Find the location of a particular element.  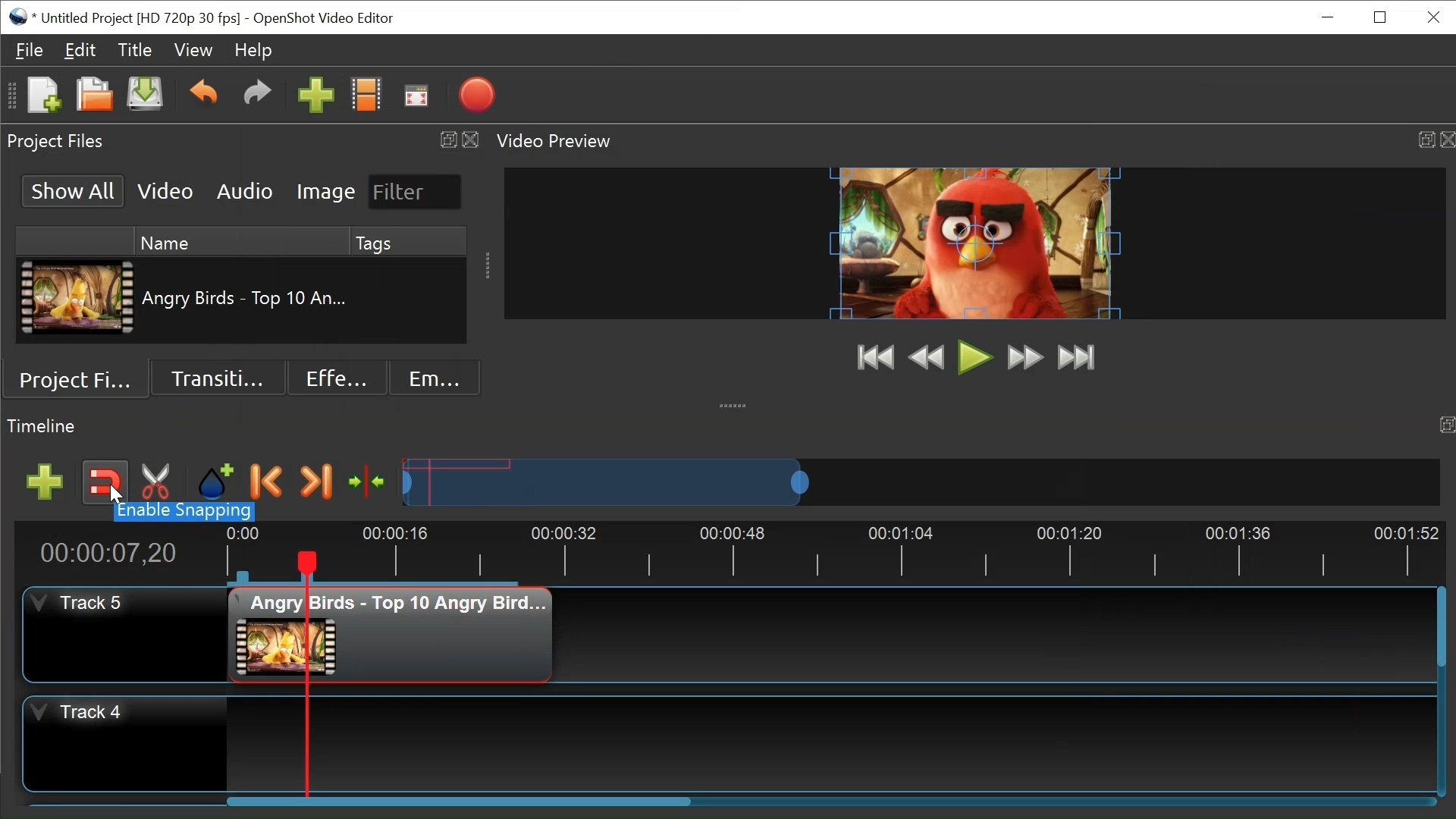

Fullscreen is located at coordinates (415, 95).